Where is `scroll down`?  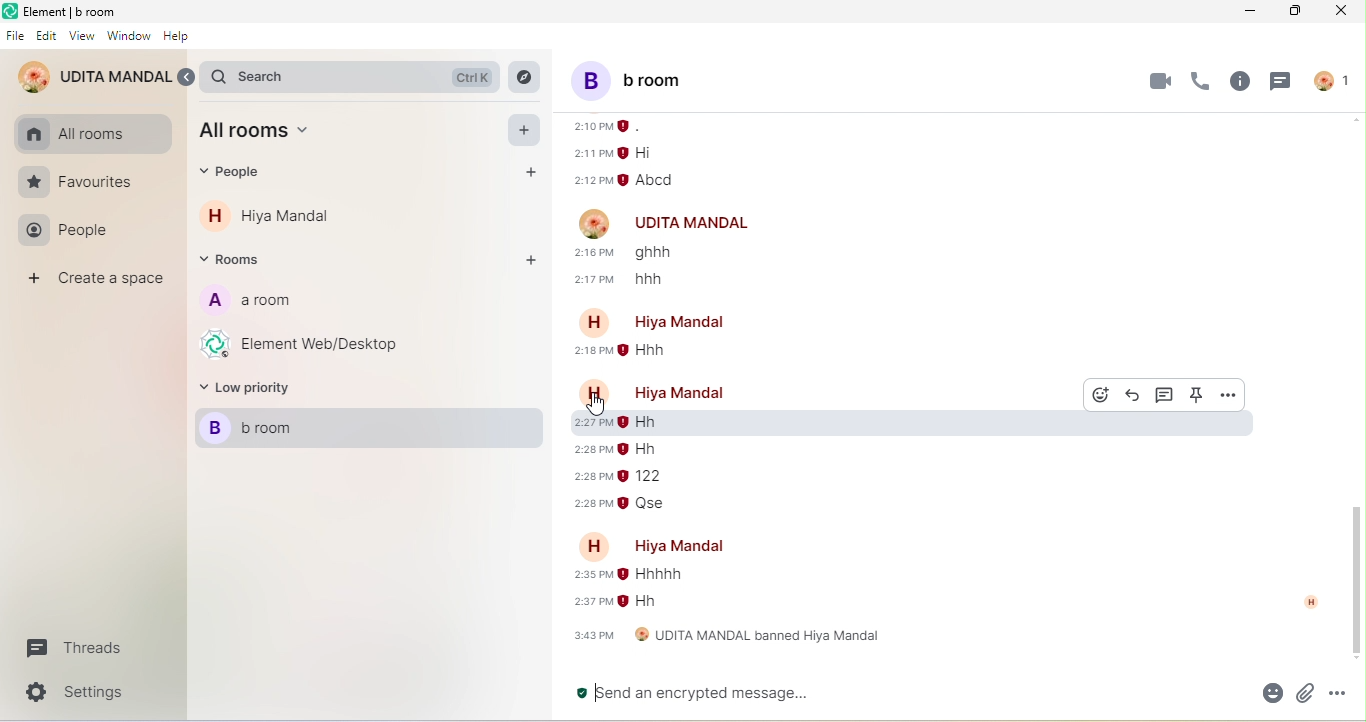
scroll down is located at coordinates (1356, 661).